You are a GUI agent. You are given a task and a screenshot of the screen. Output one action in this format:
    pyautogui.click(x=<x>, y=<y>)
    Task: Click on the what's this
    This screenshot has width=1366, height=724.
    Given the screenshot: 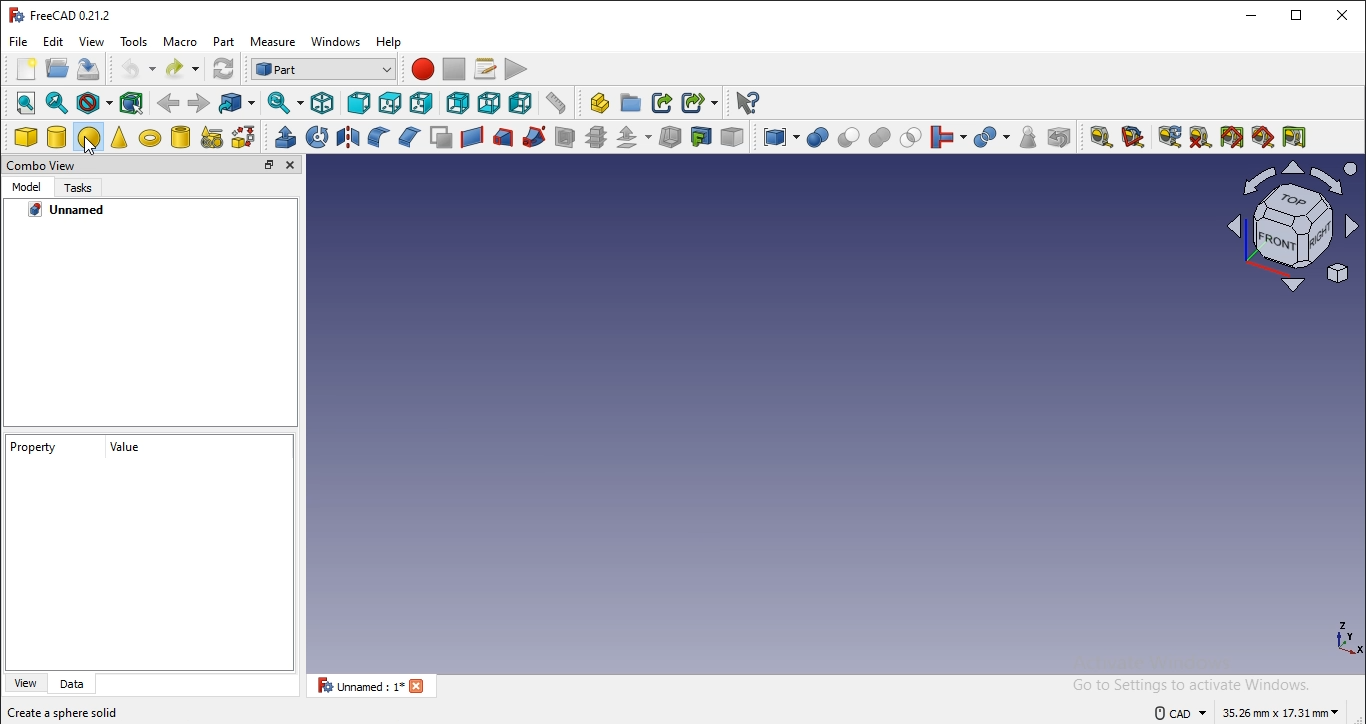 What is the action you would take?
    pyautogui.click(x=747, y=103)
    